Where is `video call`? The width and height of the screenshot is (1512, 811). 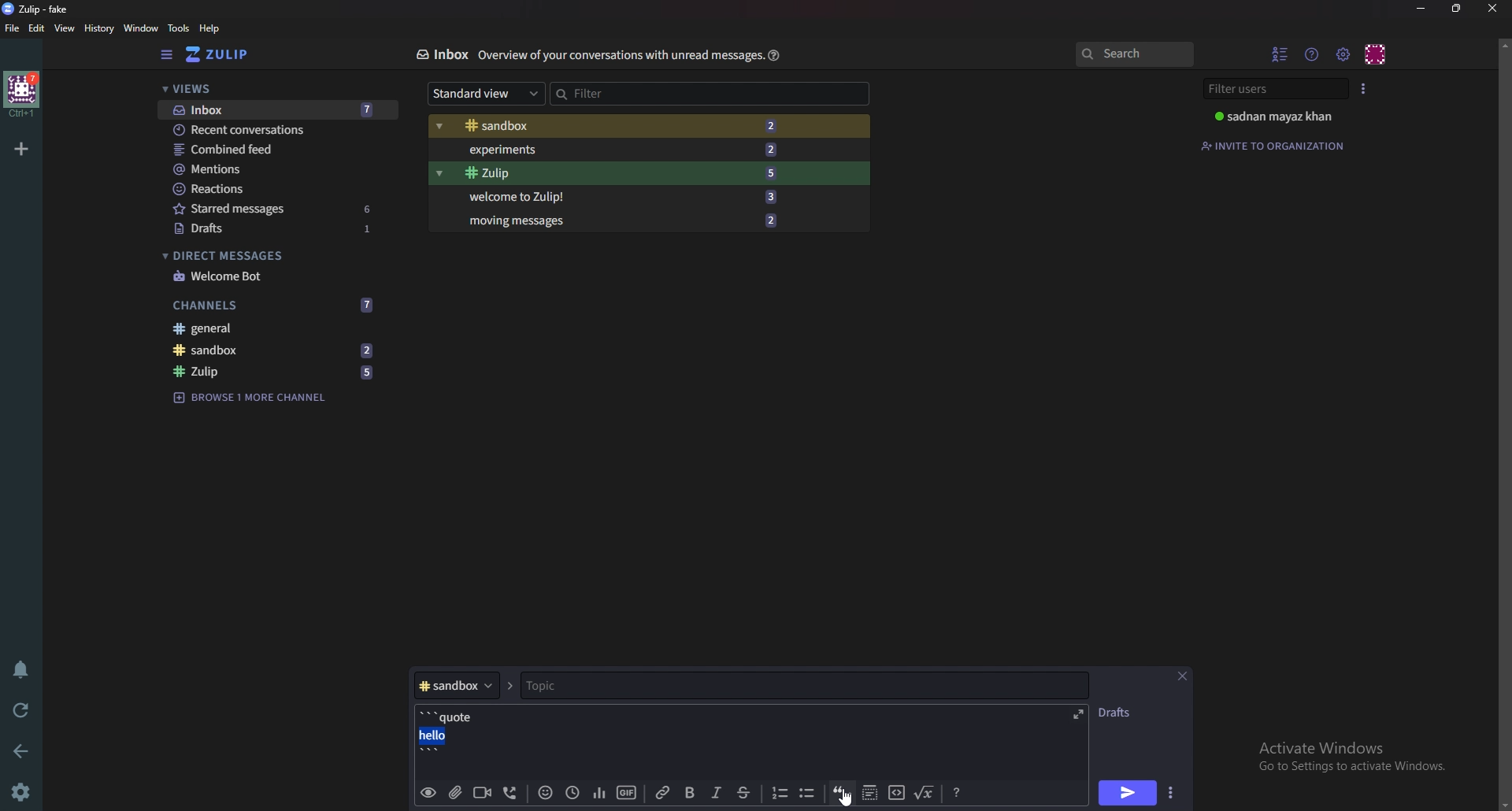 video call is located at coordinates (482, 793).